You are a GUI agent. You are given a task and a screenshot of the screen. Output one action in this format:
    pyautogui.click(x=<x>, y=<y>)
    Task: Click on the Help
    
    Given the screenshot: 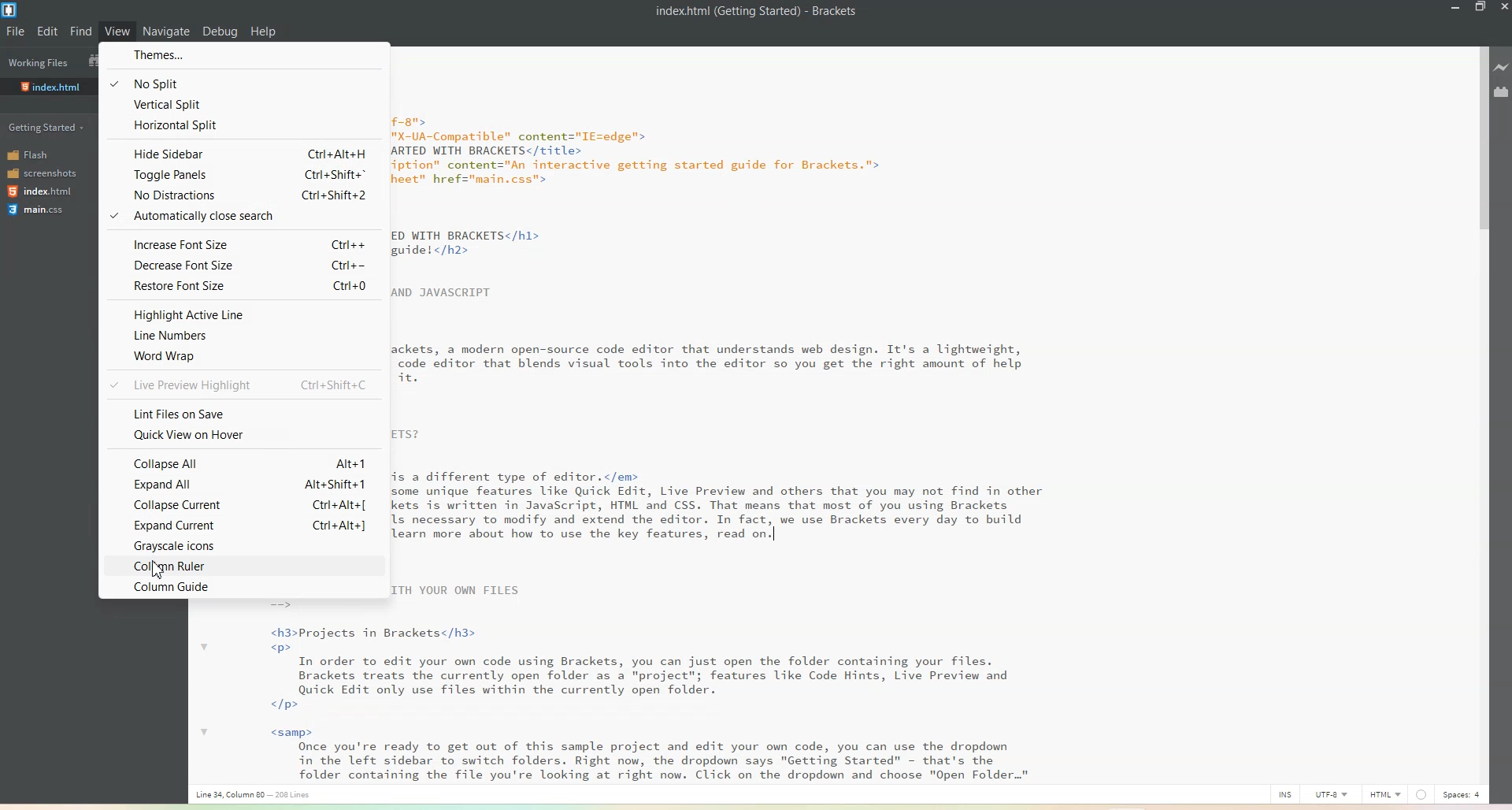 What is the action you would take?
    pyautogui.click(x=262, y=32)
    